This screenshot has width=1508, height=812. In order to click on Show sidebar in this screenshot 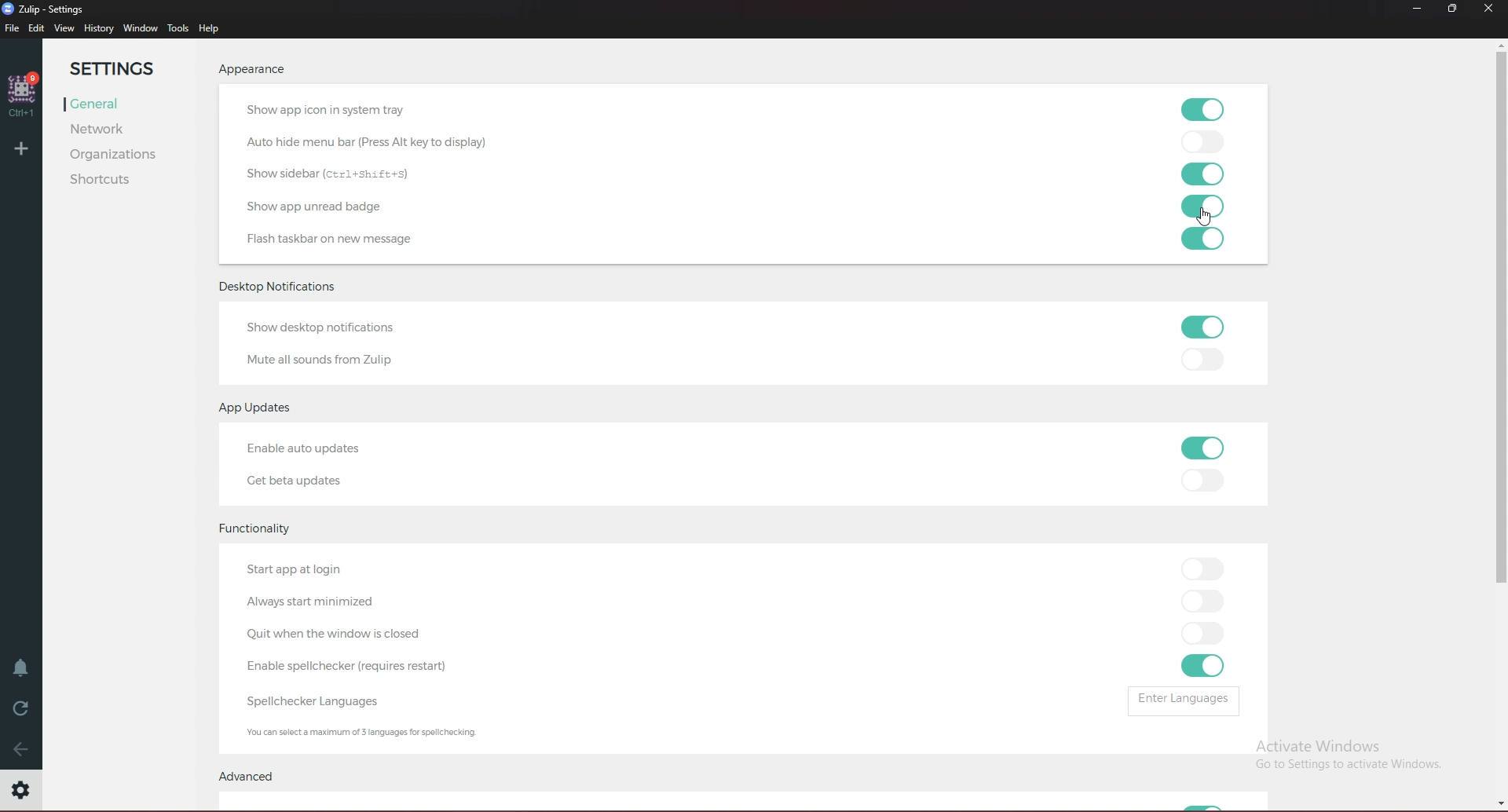, I will do `click(335, 172)`.